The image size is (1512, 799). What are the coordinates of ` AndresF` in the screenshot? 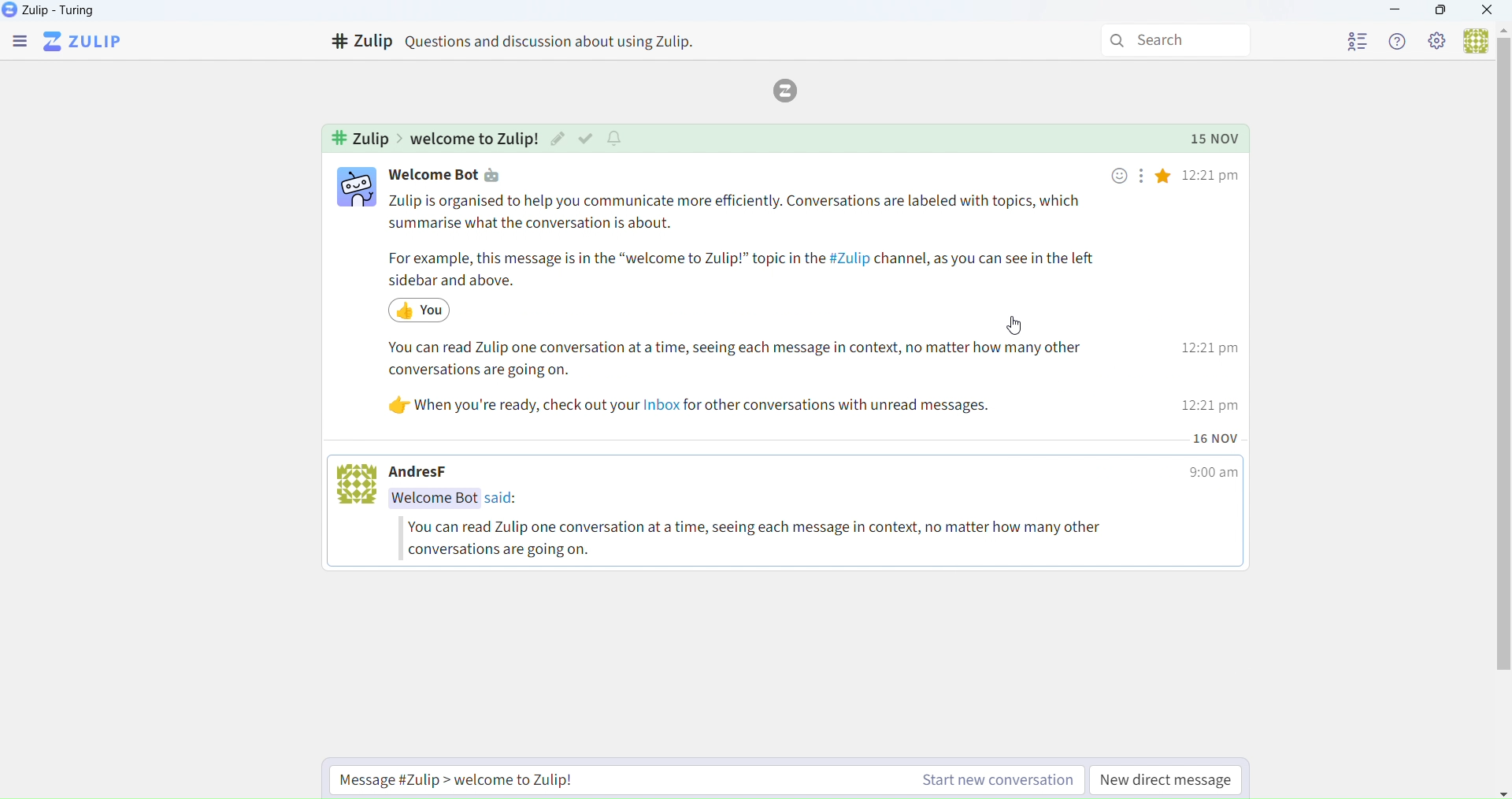 It's located at (435, 473).